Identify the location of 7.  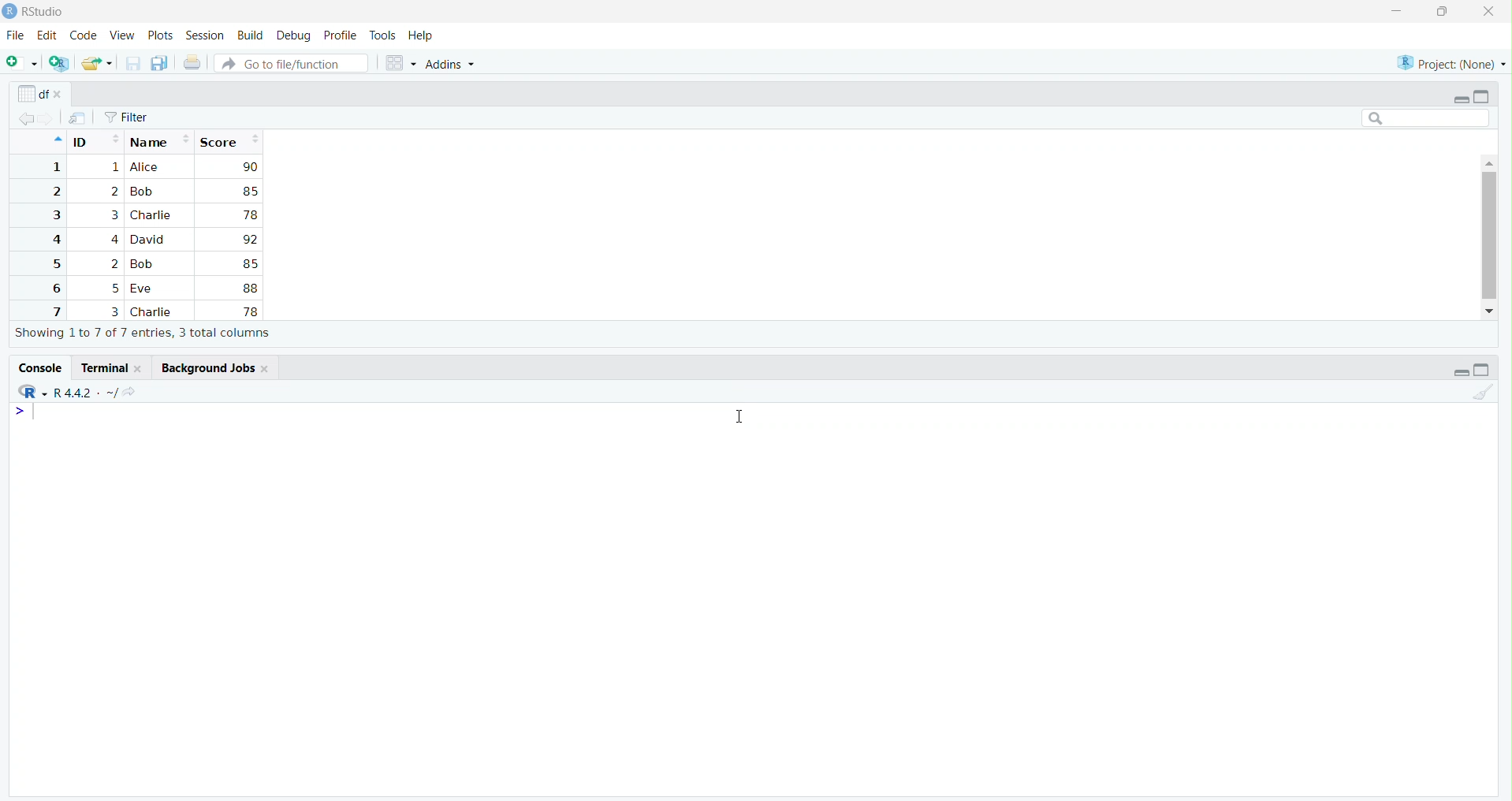
(54, 311).